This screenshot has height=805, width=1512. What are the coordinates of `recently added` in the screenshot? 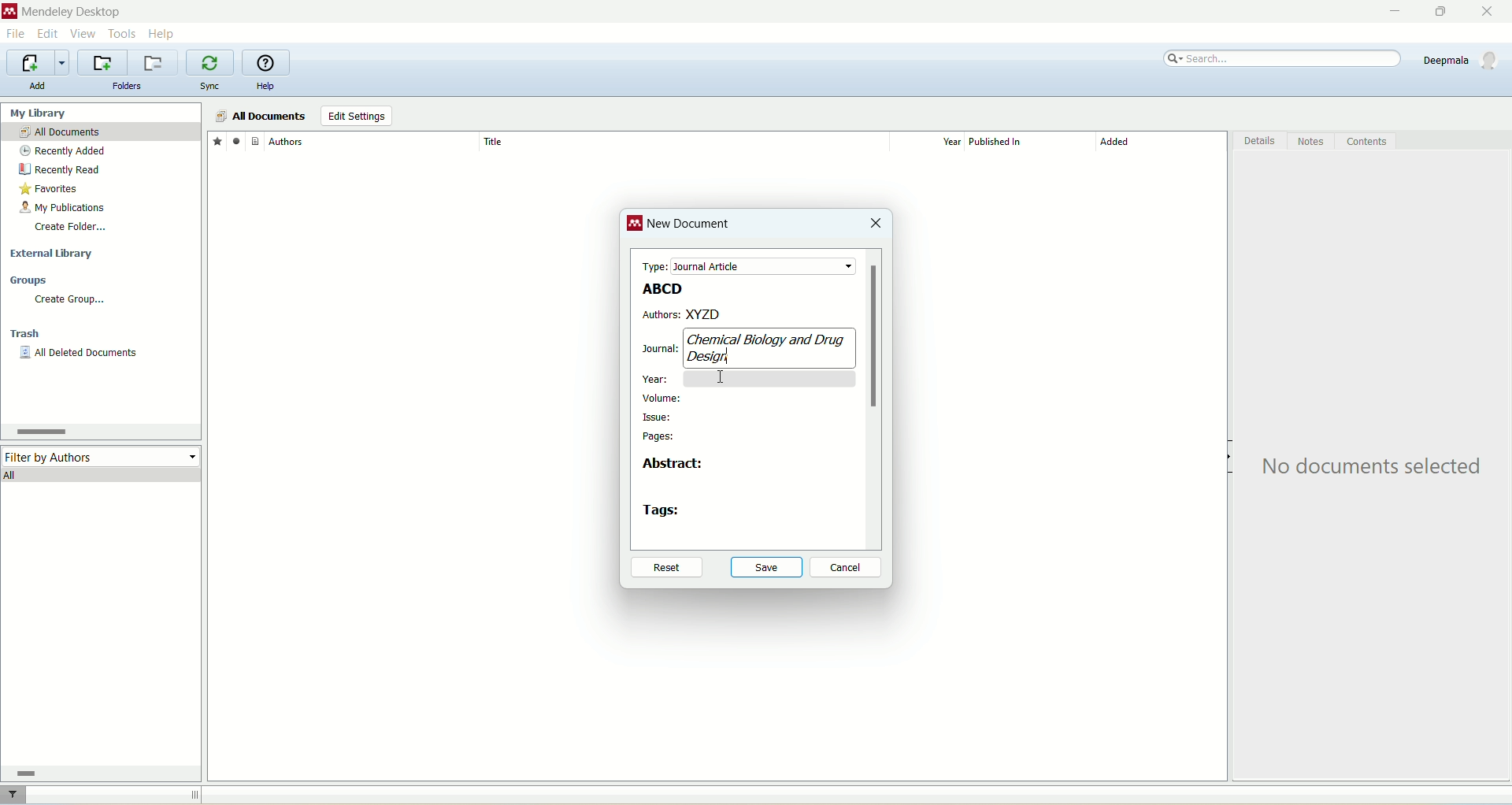 It's located at (63, 151).